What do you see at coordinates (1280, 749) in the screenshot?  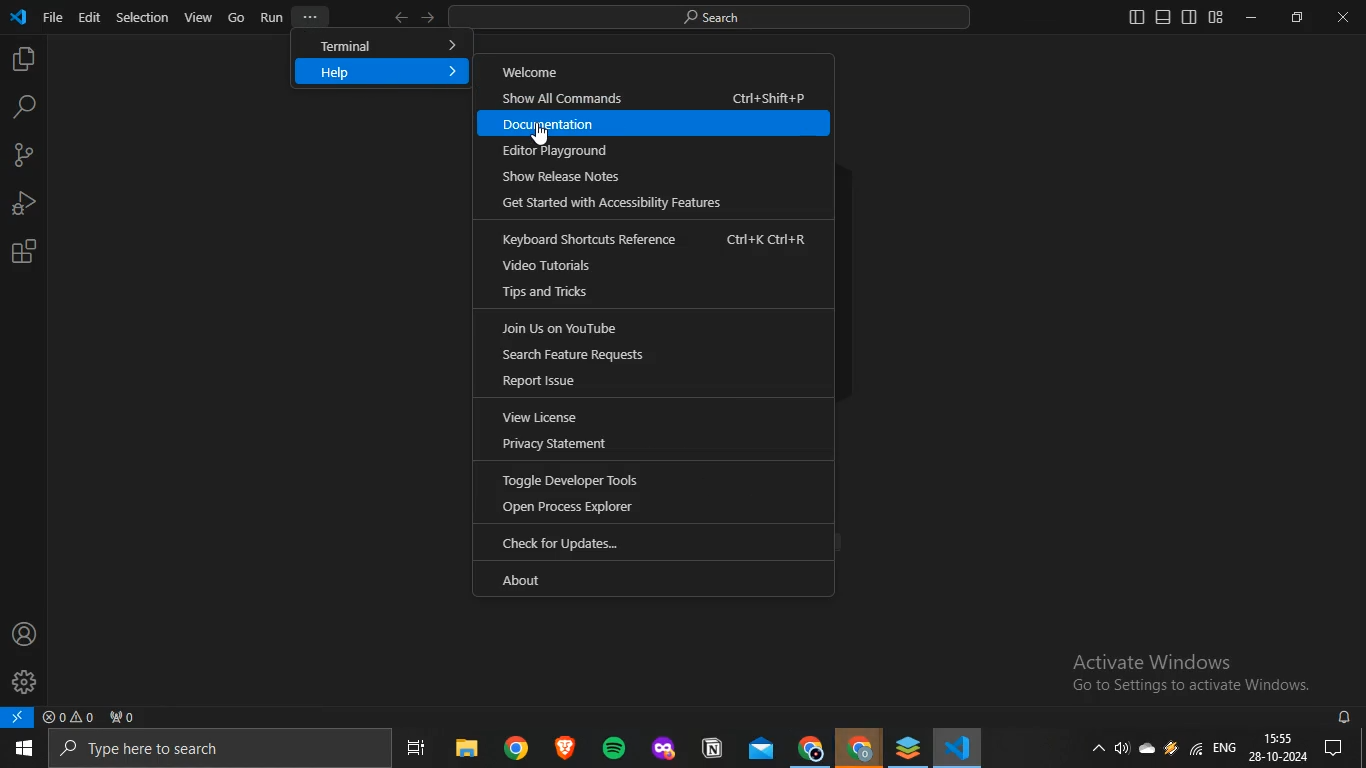 I see `date and time` at bounding box center [1280, 749].